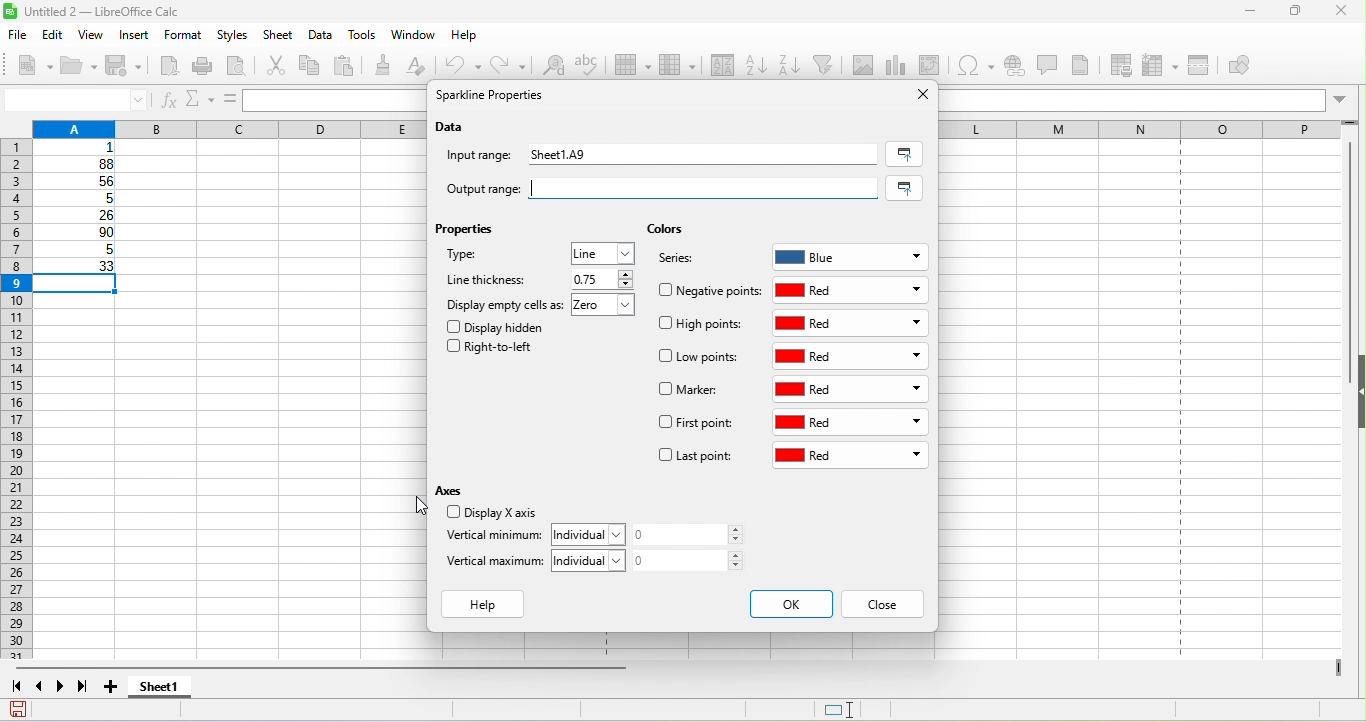 This screenshot has height=722, width=1366. I want to click on 1, so click(82, 148).